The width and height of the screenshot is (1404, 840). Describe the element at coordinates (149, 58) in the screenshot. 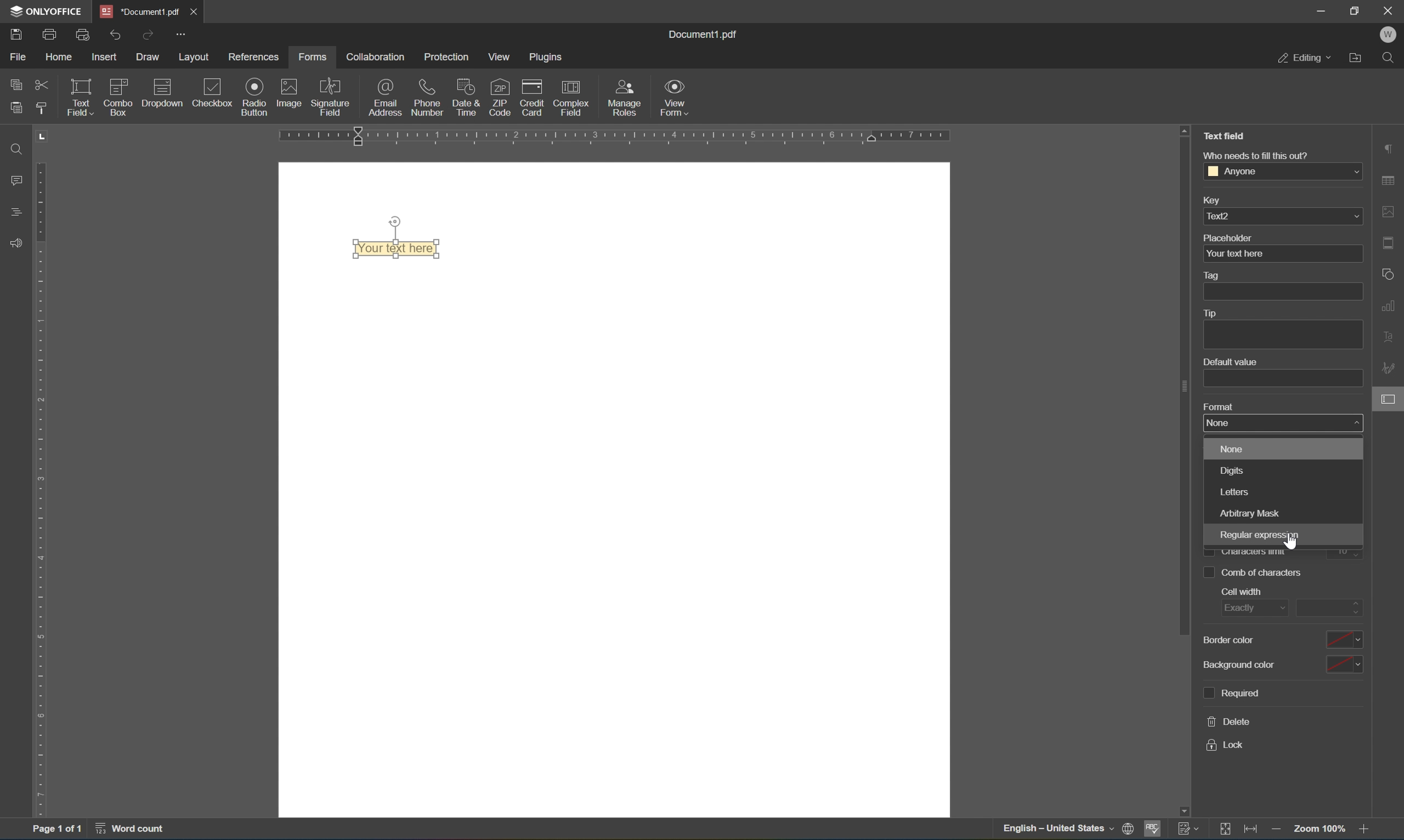

I see `draw` at that location.